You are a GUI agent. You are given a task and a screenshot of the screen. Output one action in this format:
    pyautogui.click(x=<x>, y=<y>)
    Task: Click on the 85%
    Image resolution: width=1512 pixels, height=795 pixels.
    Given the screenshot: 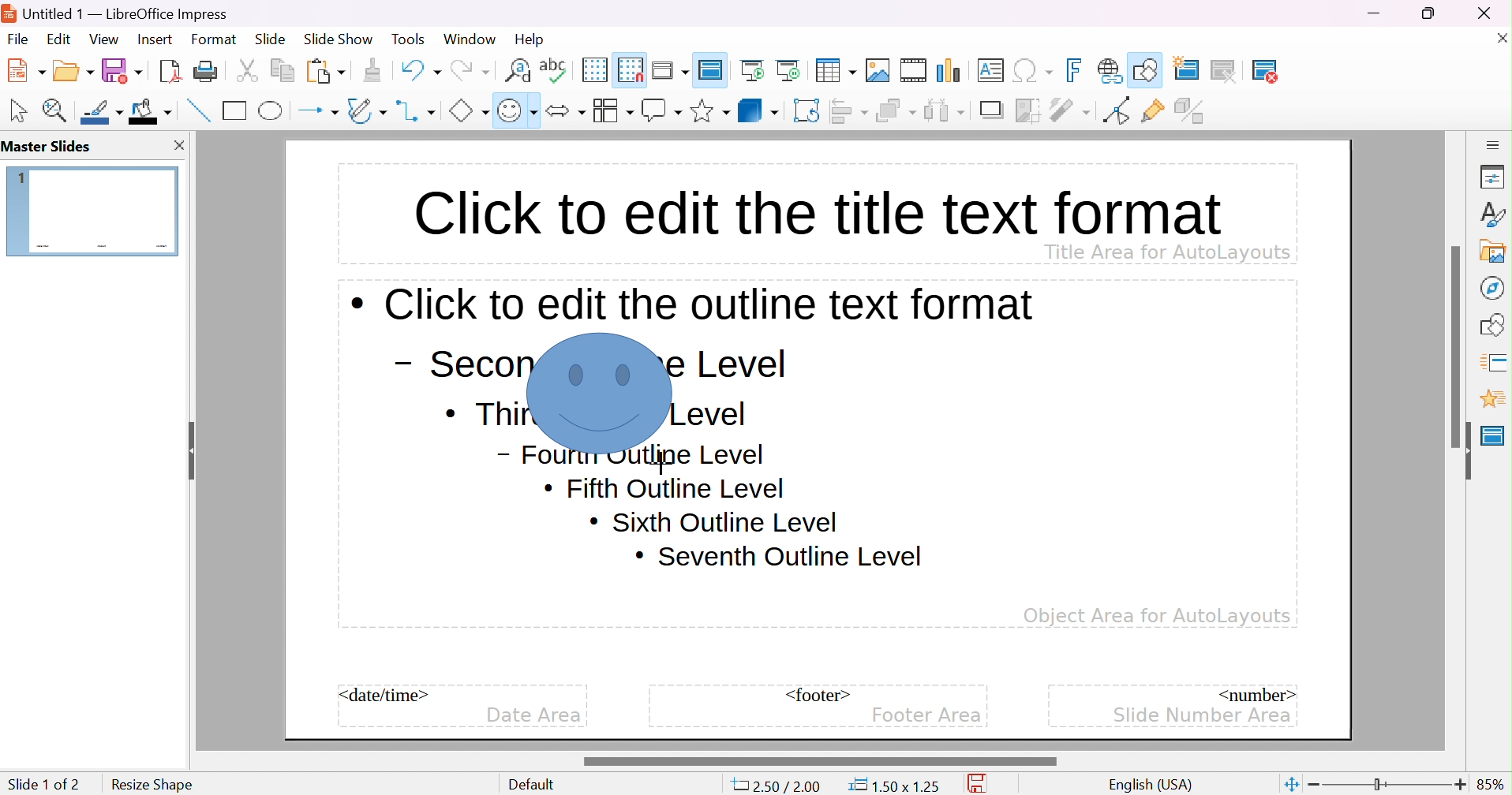 What is the action you would take?
    pyautogui.click(x=1491, y=784)
    